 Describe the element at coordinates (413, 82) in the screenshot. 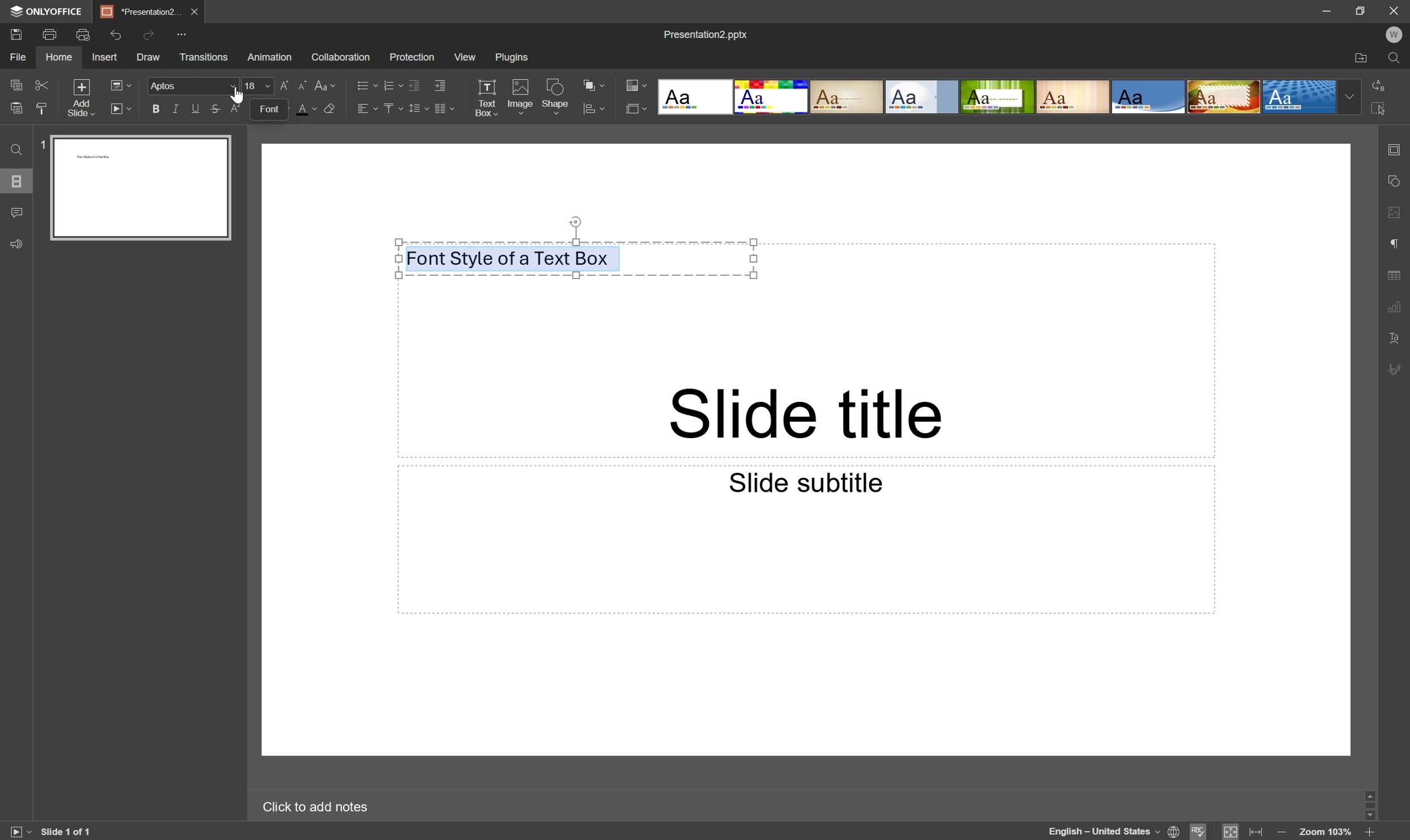

I see `Decrease indent` at that location.